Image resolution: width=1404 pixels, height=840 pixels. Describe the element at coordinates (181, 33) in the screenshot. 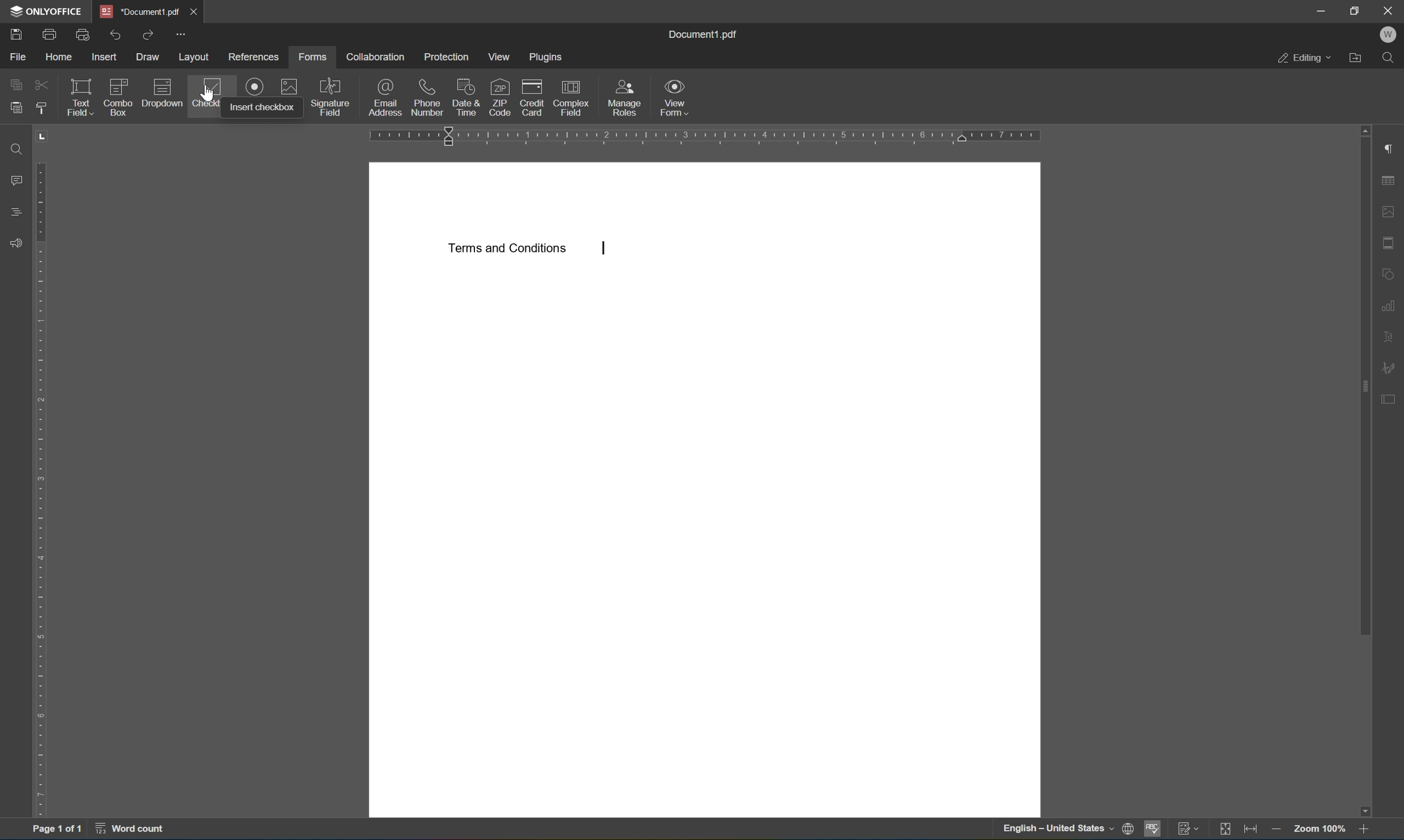

I see `customize quick access toolbar` at that location.